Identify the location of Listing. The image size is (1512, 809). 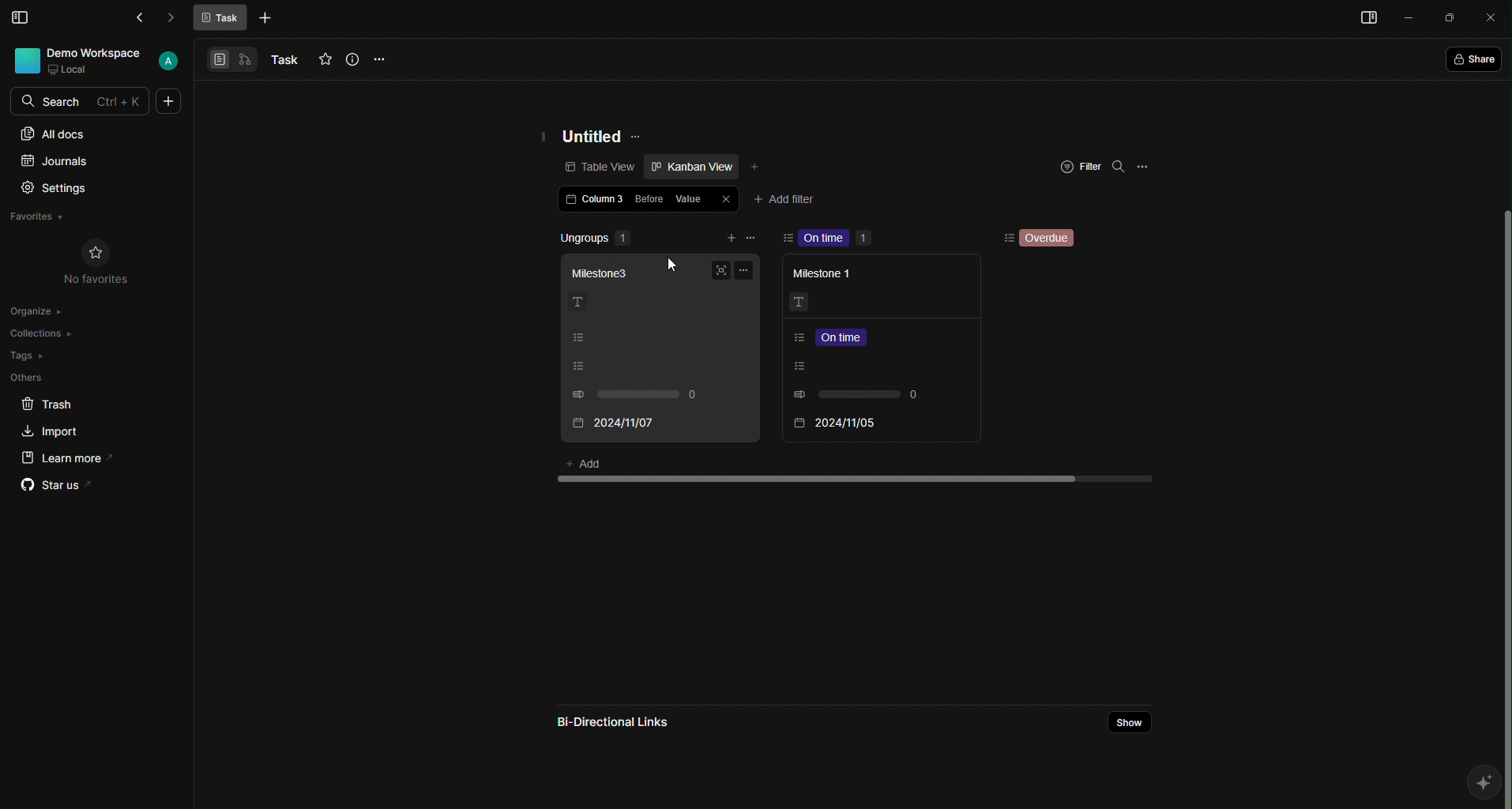
(588, 337).